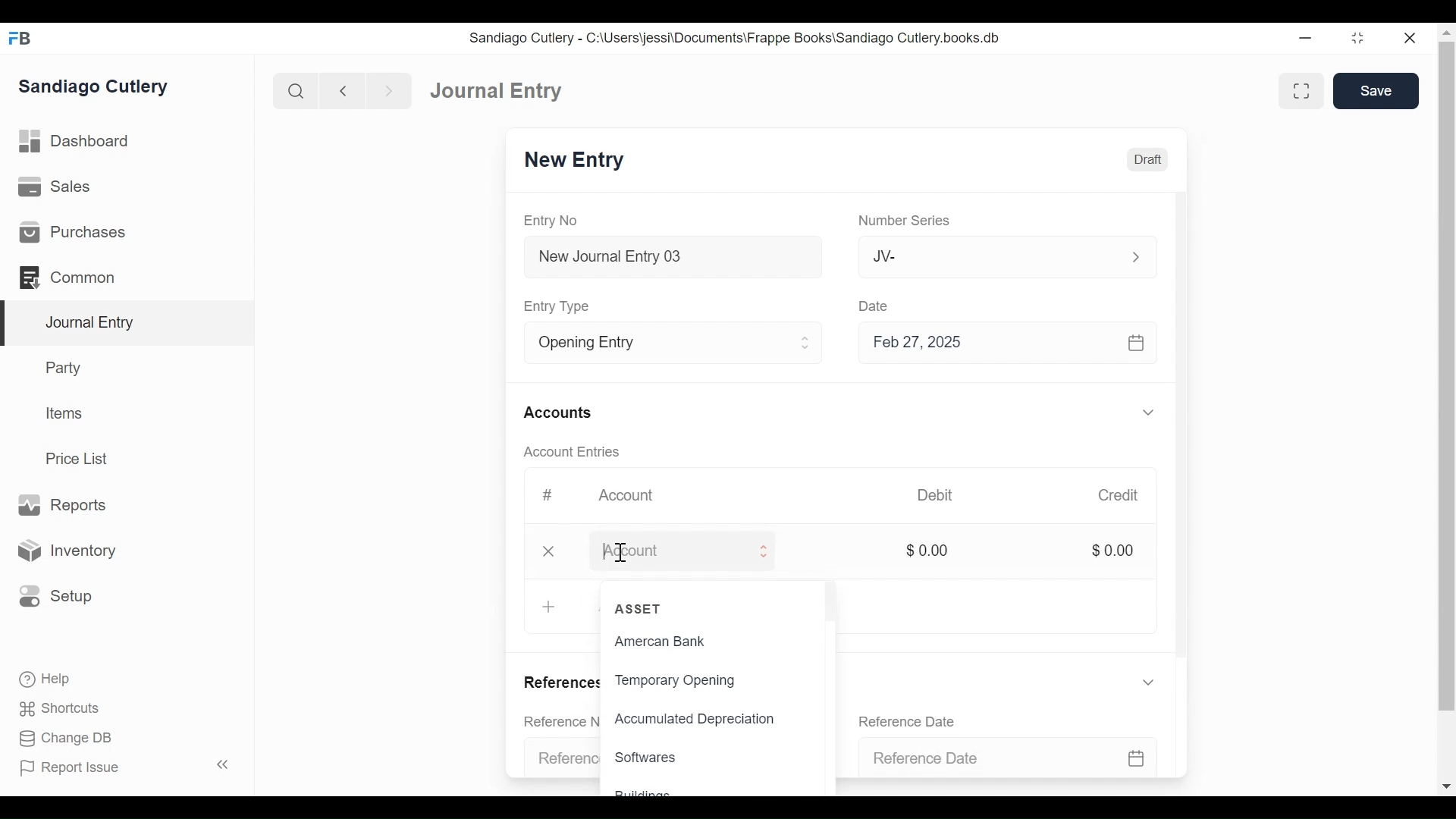 The image size is (1456, 819). What do you see at coordinates (46, 679) in the screenshot?
I see `Help` at bounding box center [46, 679].